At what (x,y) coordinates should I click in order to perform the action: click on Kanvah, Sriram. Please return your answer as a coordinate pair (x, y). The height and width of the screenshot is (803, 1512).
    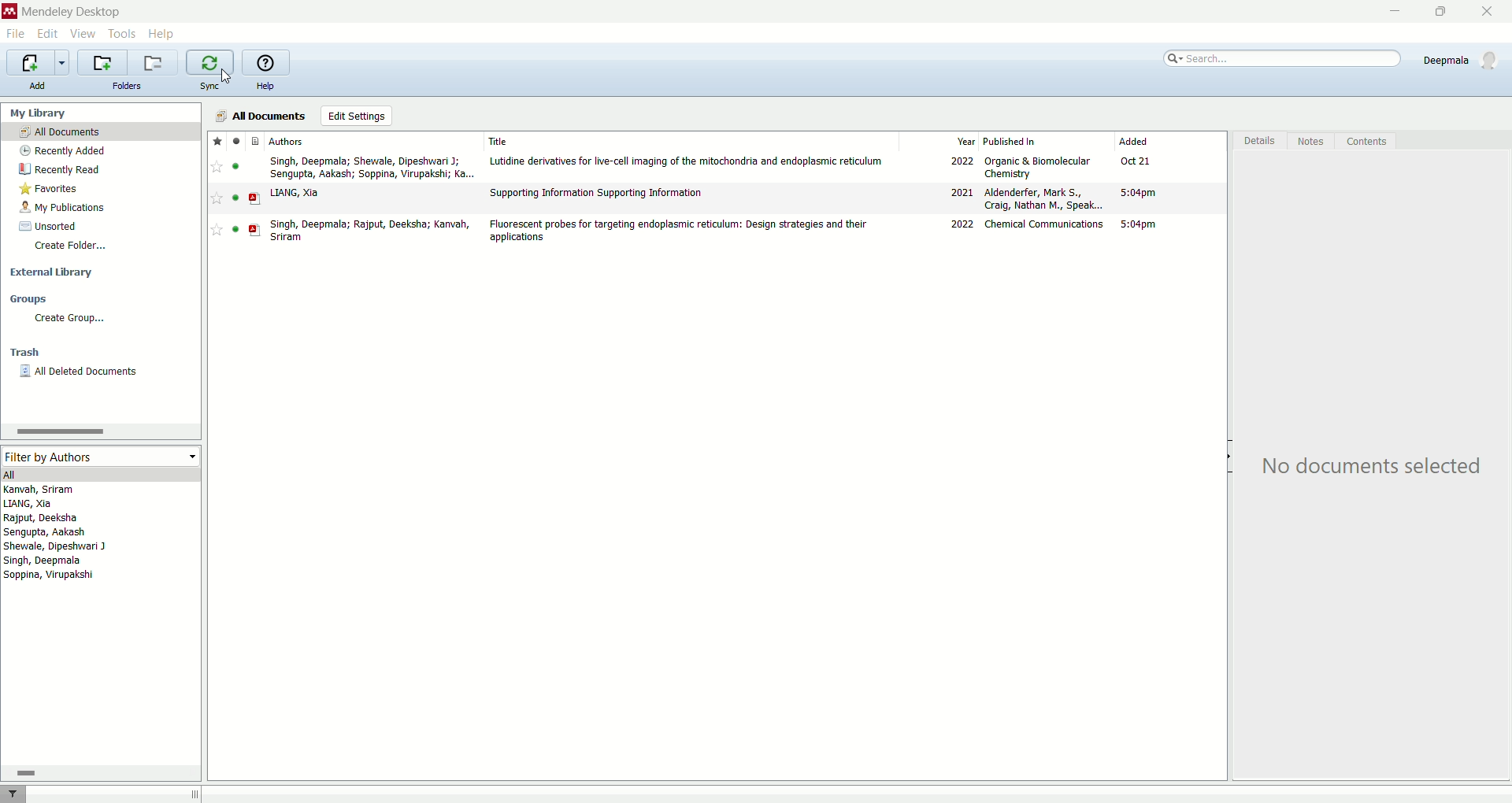
    Looking at the image, I should click on (39, 489).